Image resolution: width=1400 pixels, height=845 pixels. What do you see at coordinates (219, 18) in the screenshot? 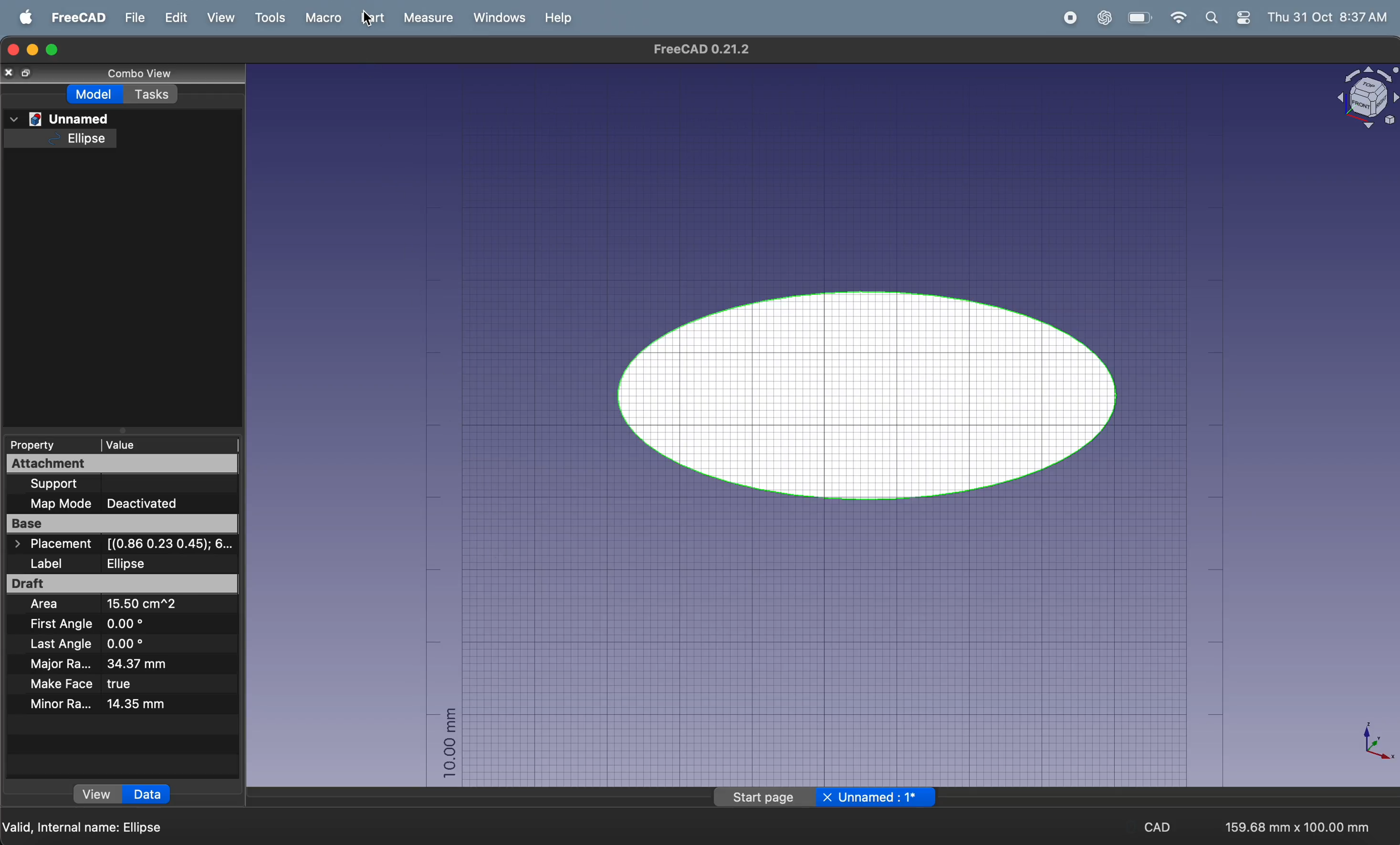
I see `view` at bounding box center [219, 18].